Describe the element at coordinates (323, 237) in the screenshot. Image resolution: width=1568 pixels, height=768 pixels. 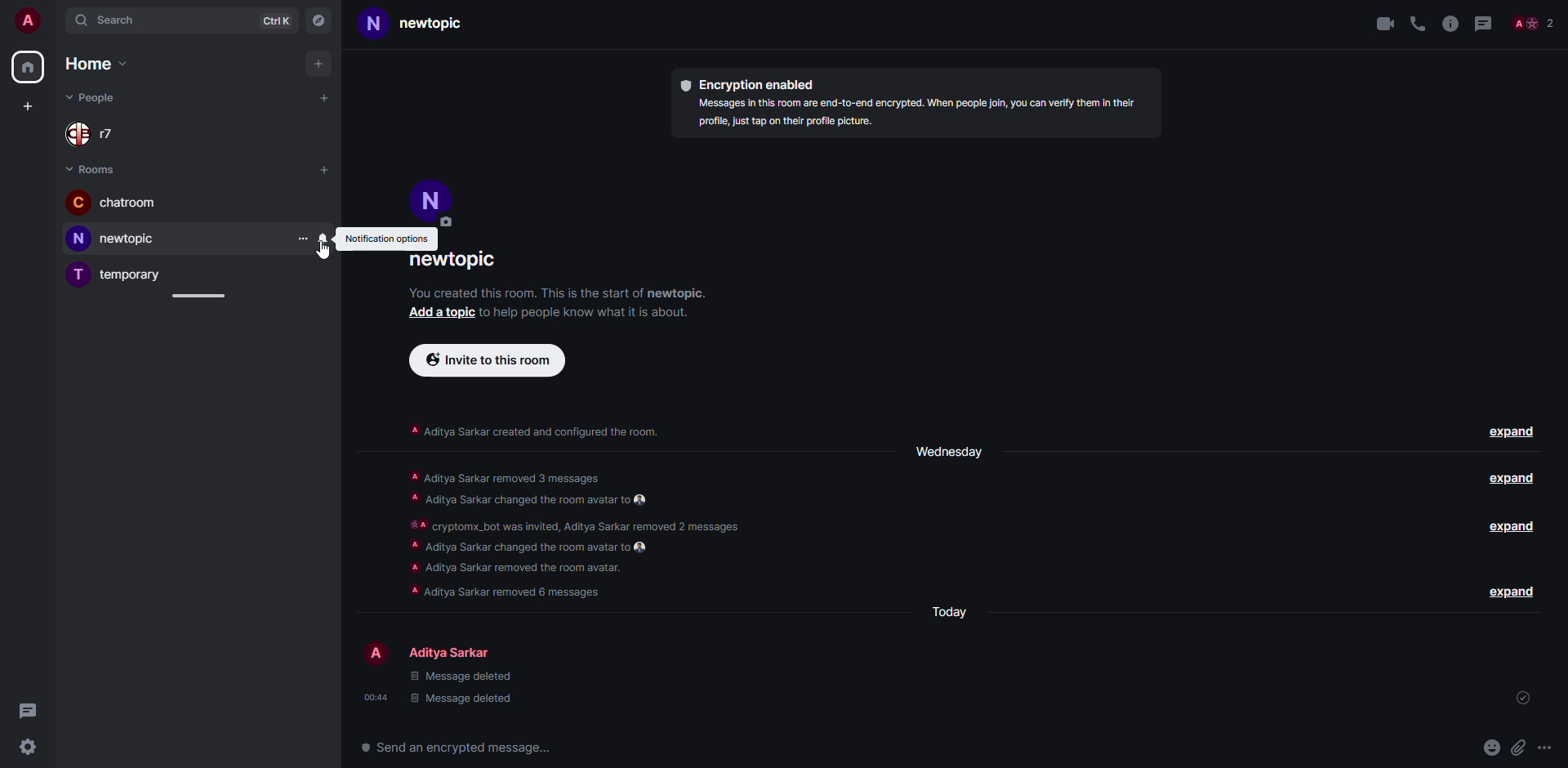
I see `notification setting` at that location.